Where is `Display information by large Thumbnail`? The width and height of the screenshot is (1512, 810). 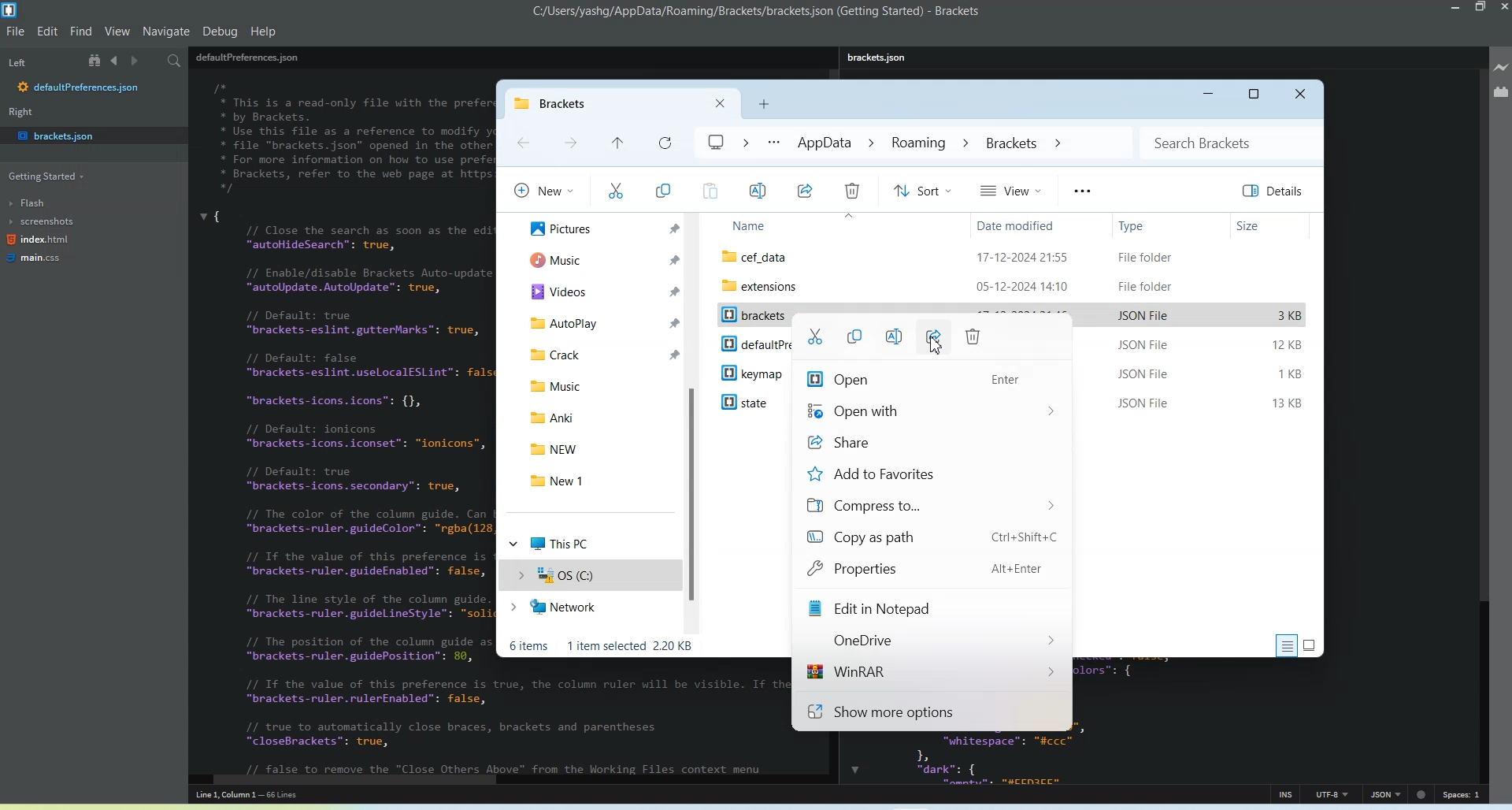 Display information by large Thumbnail is located at coordinates (1313, 644).